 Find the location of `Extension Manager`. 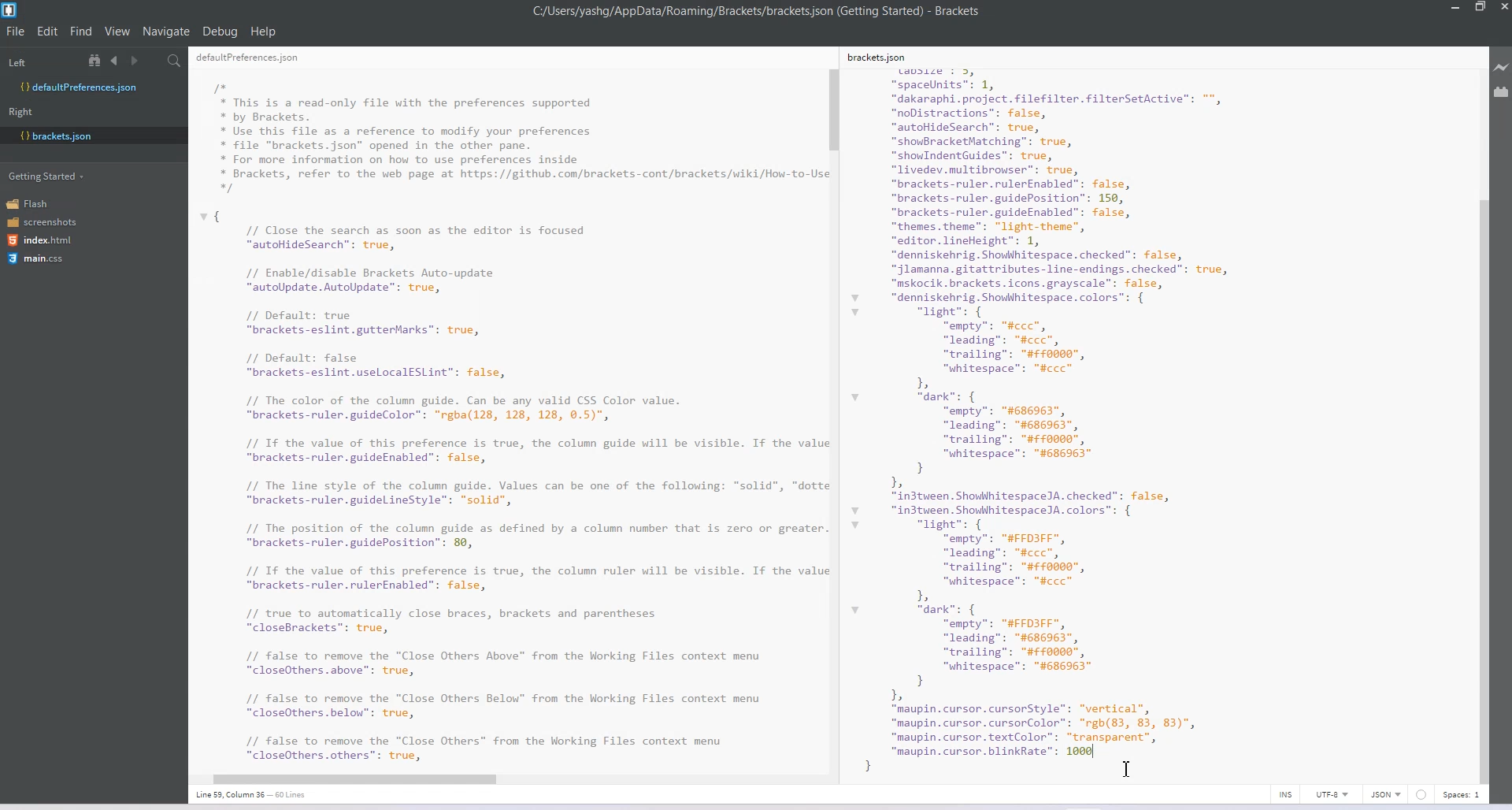

Extension Manager is located at coordinates (1502, 95).